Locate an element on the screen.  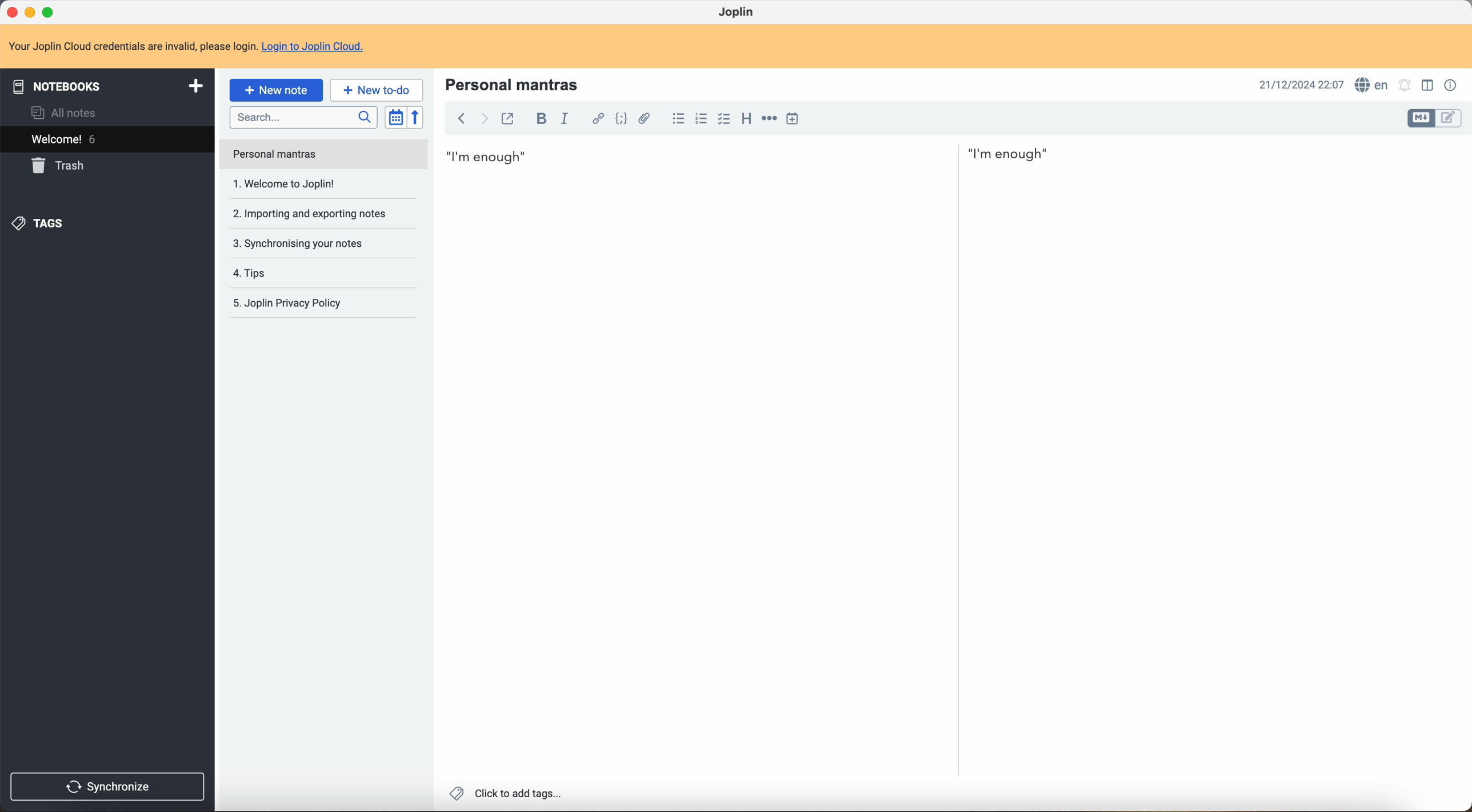
scroll bar is located at coordinates (1463, 360).